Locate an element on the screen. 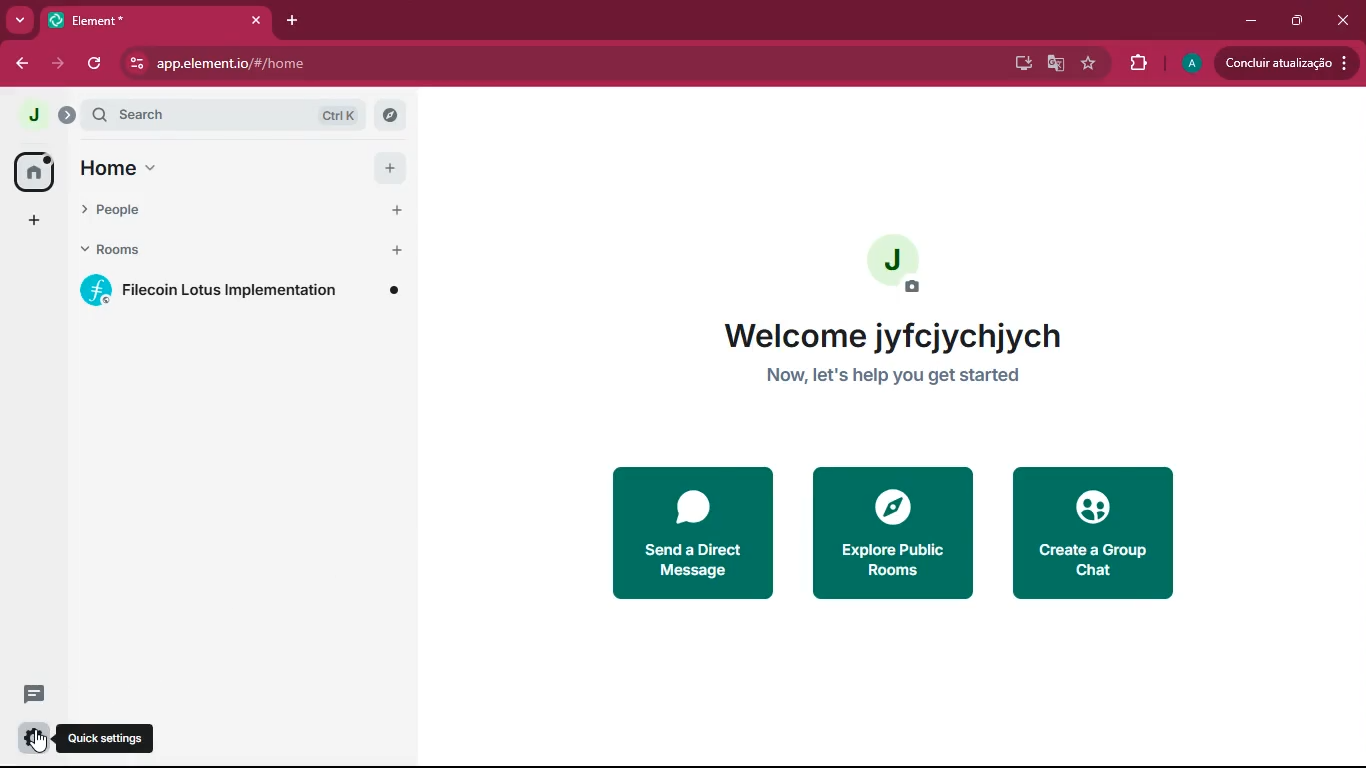 The image size is (1366, 768). minimize is located at coordinates (1246, 18).